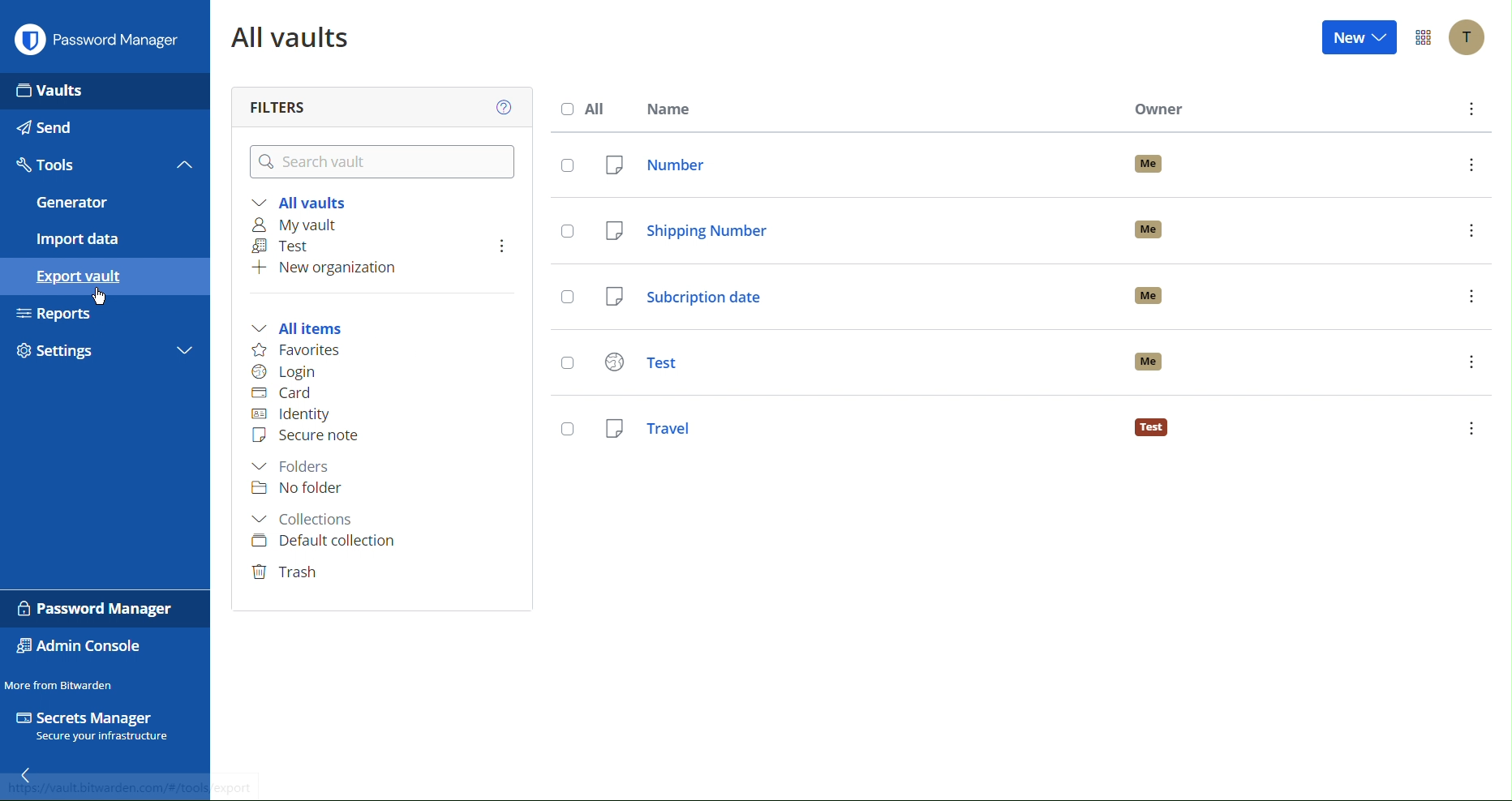 This screenshot has height=801, width=1512. I want to click on Trash, so click(290, 572).